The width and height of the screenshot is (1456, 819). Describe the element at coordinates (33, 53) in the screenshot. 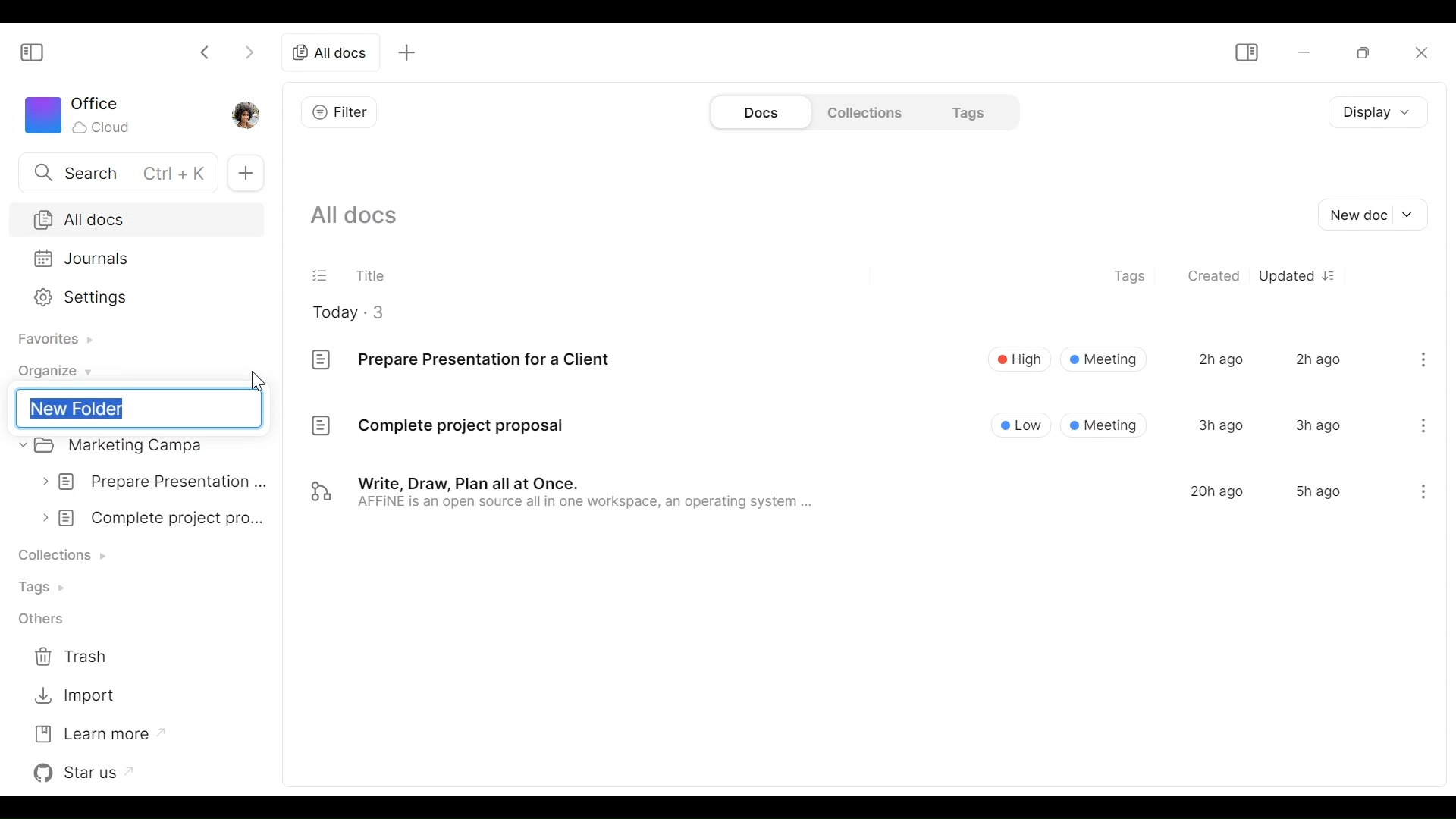

I see `Show/Hide Sidebar` at that location.